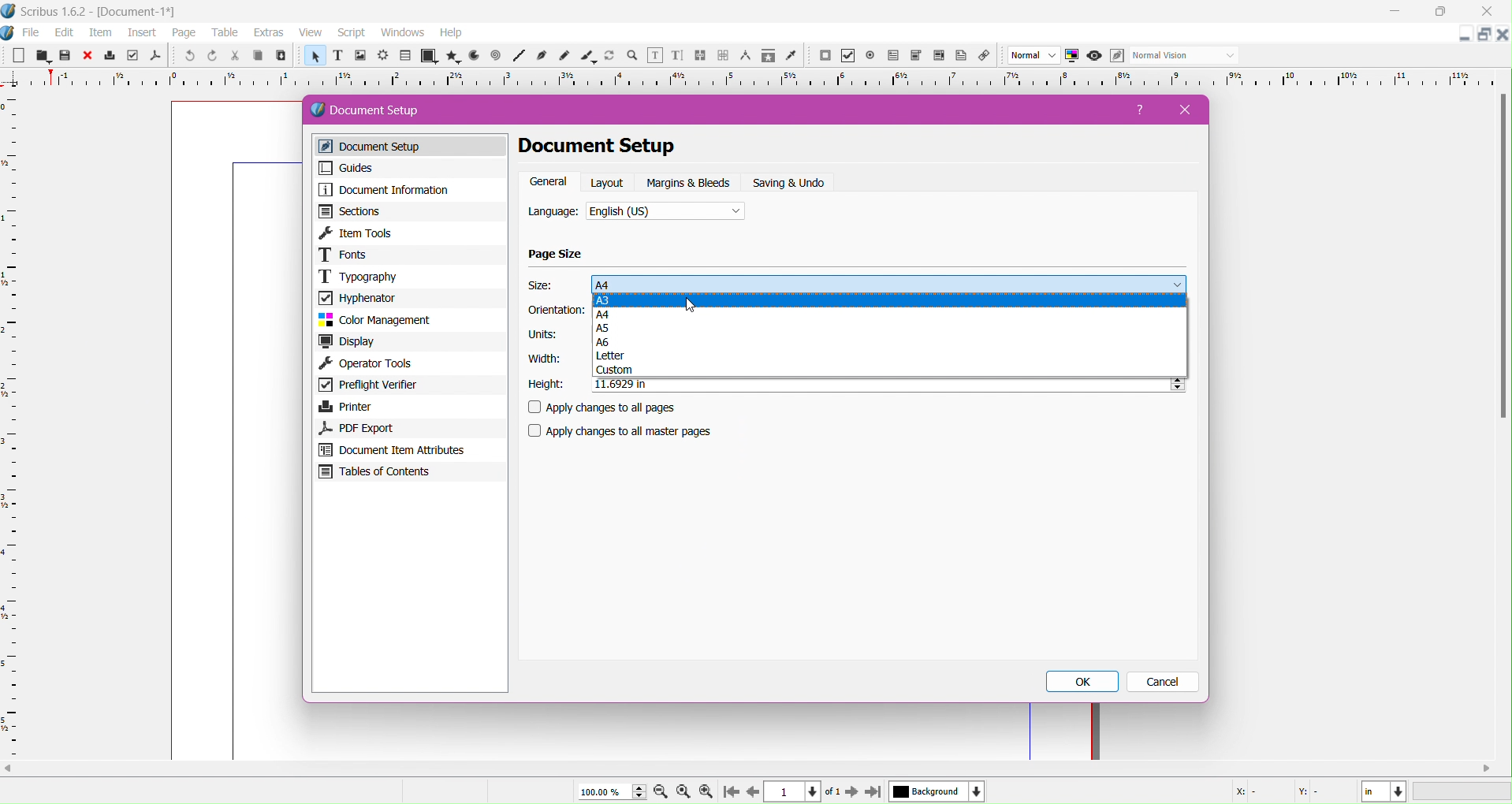 This screenshot has height=804, width=1512. Describe the element at coordinates (870, 56) in the screenshot. I see `pdf radio button` at that location.